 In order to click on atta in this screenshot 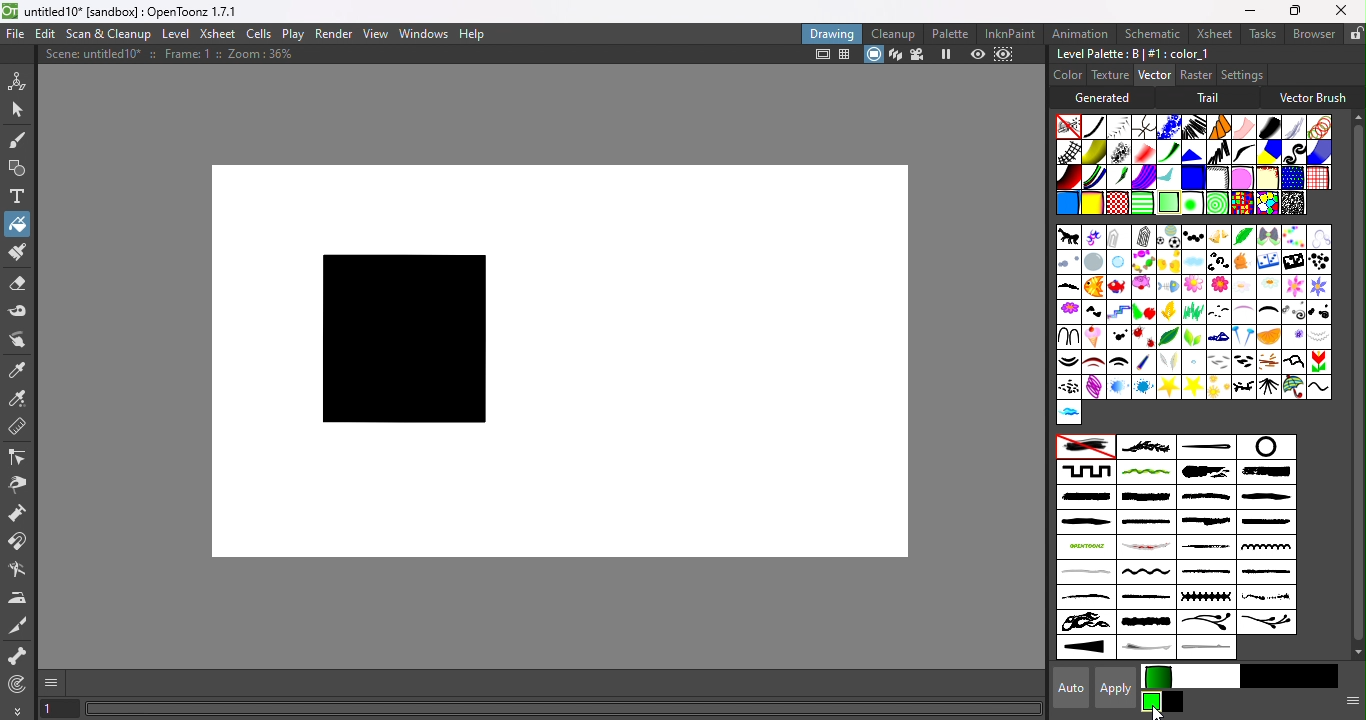, I will do `click(1144, 236)`.